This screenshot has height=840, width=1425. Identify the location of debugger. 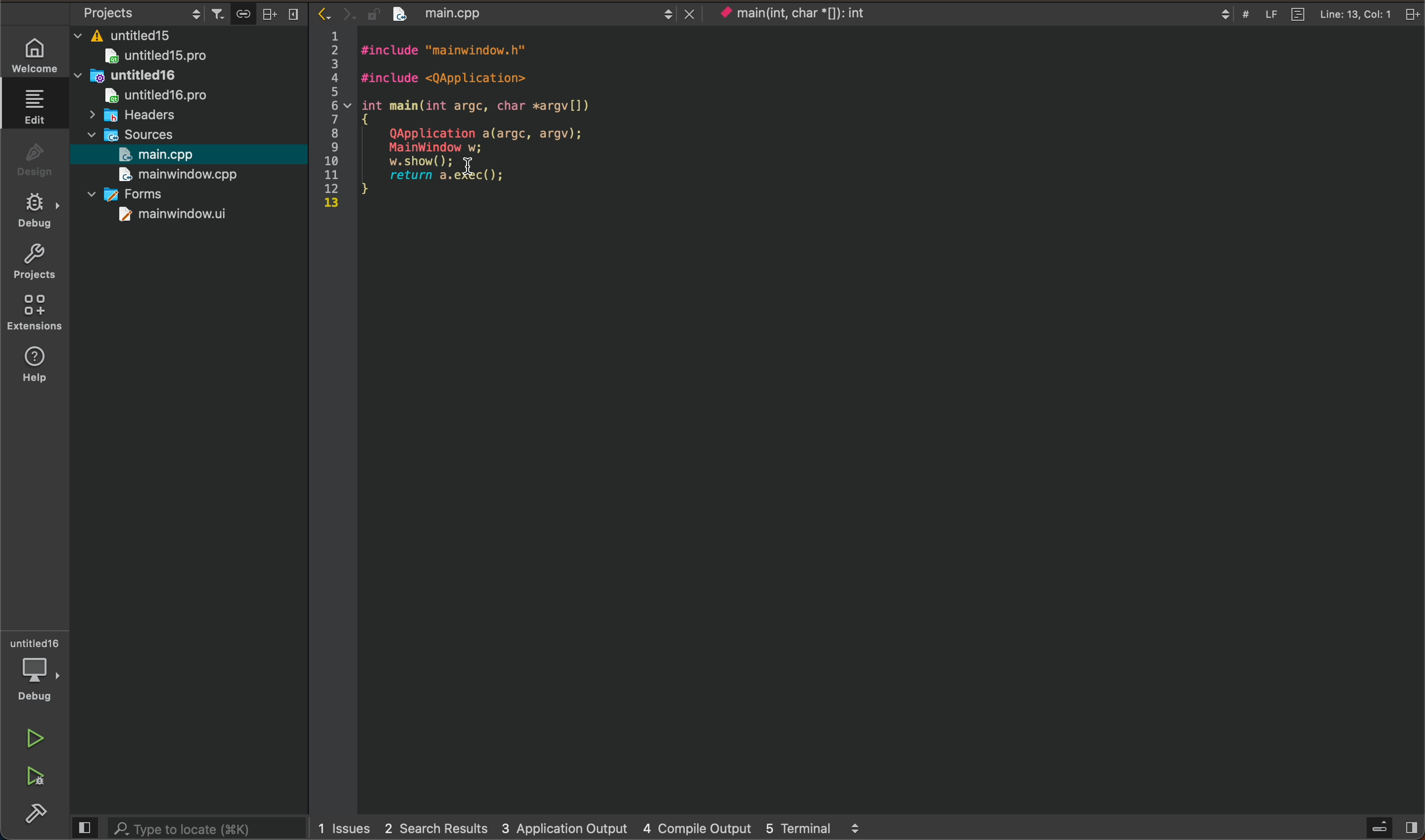
(33, 670).